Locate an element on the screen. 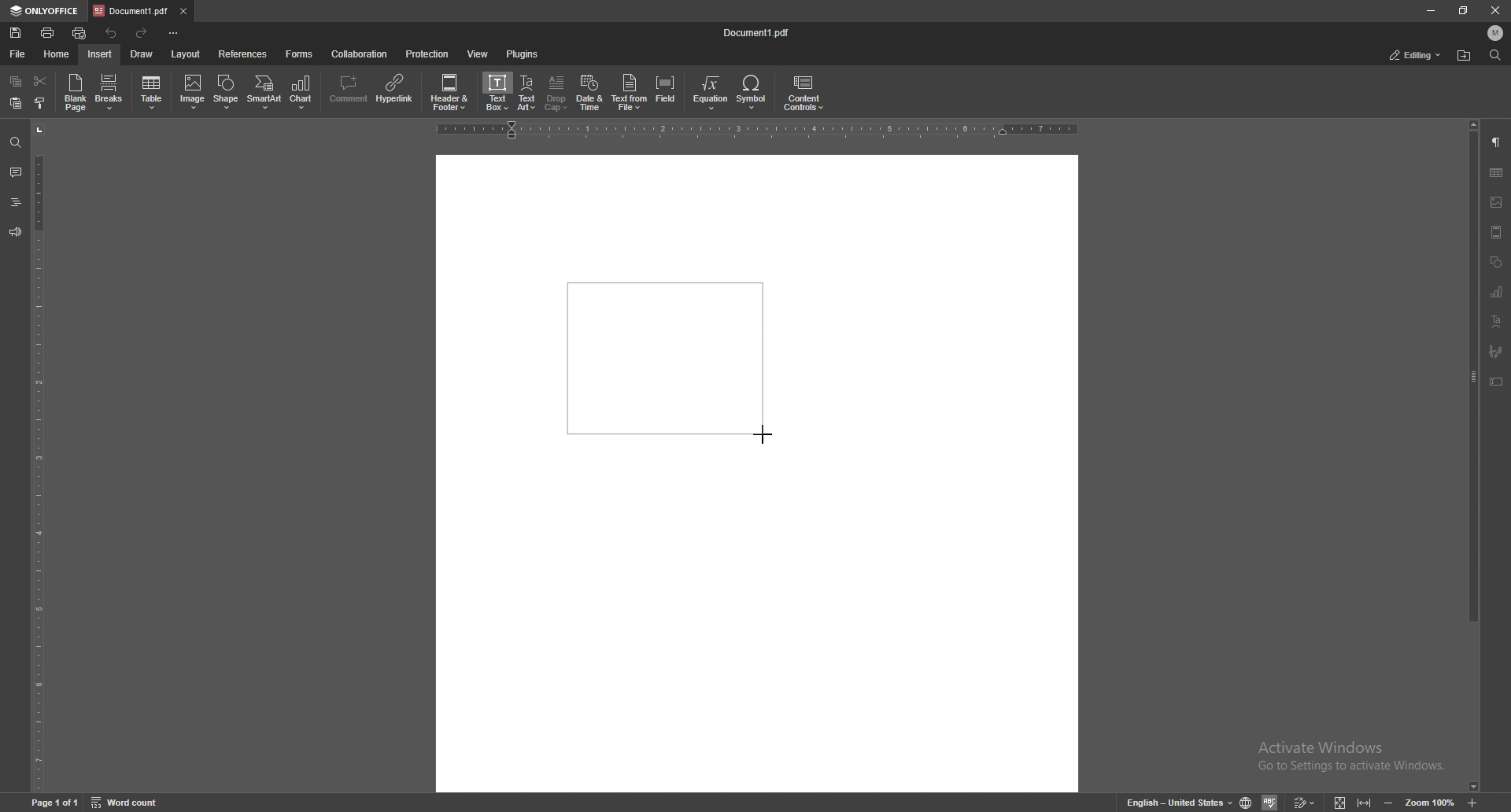 The height and width of the screenshot is (812, 1511). comment is located at coordinates (347, 90).